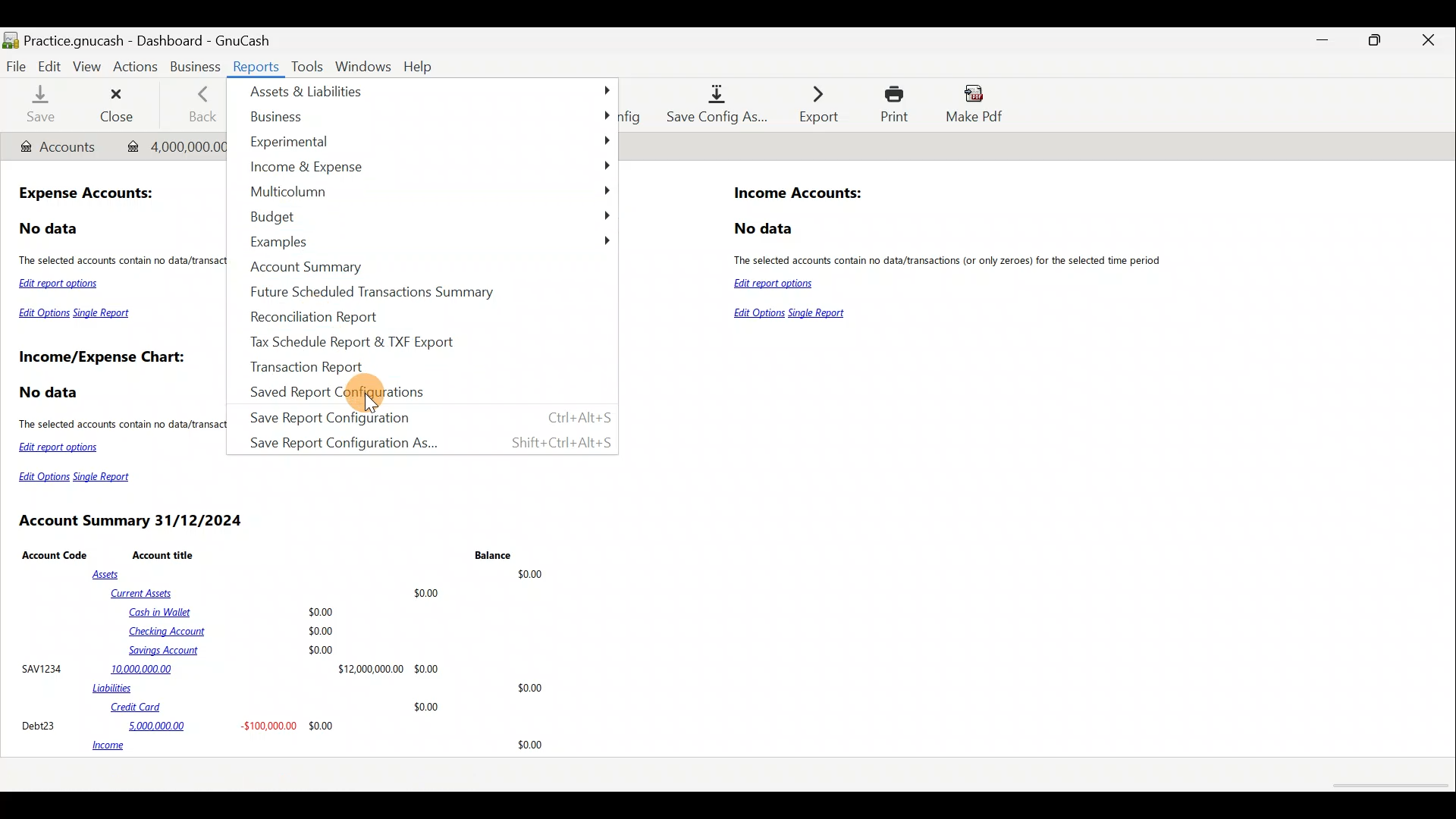 Image resolution: width=1456 pixels, height=819 pixels. Describe the element at coordinates (979, 106) in the screenshot. I see `Make pdf` at that location.